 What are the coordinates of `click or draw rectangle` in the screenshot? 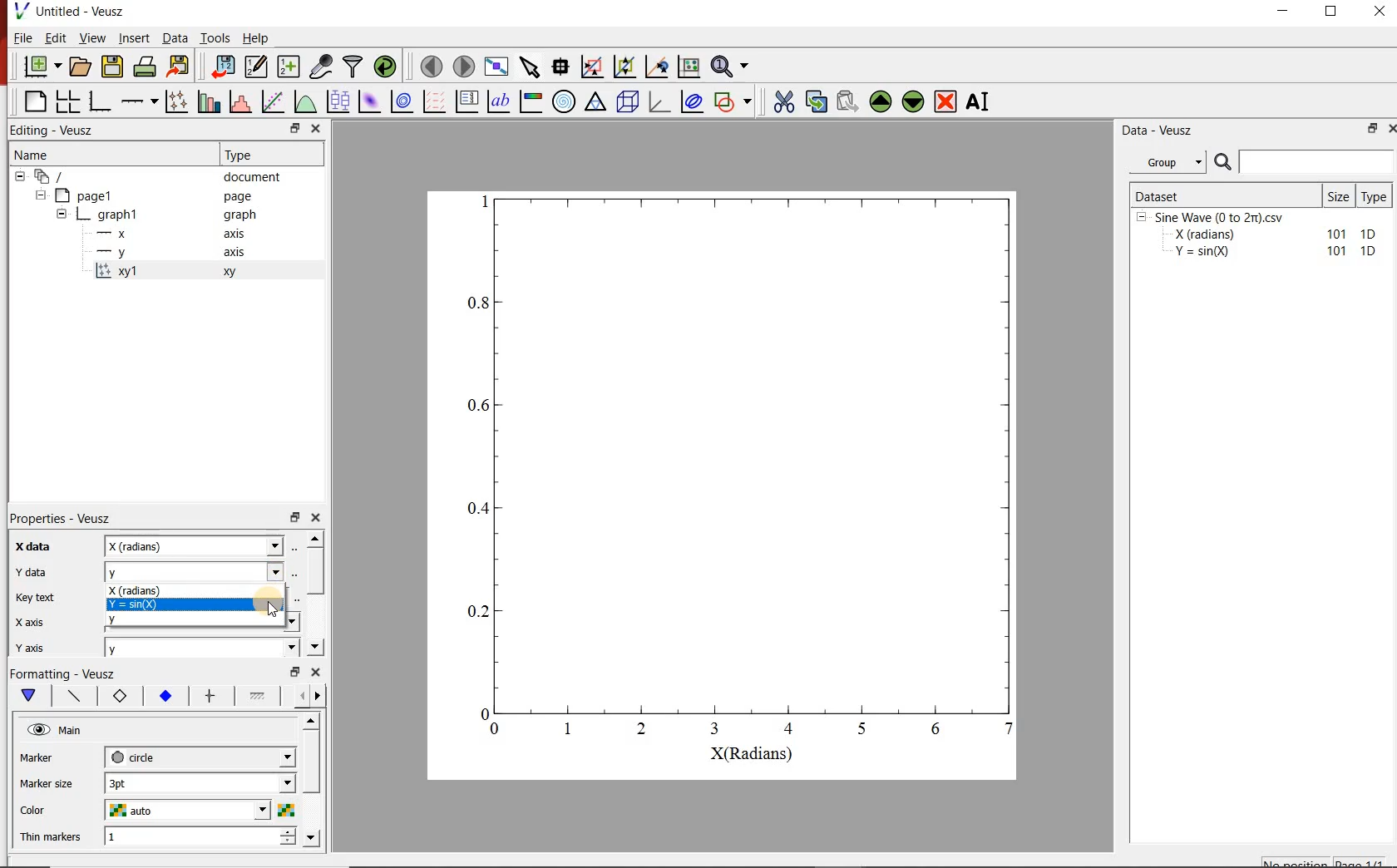 It's located at (592, 65).